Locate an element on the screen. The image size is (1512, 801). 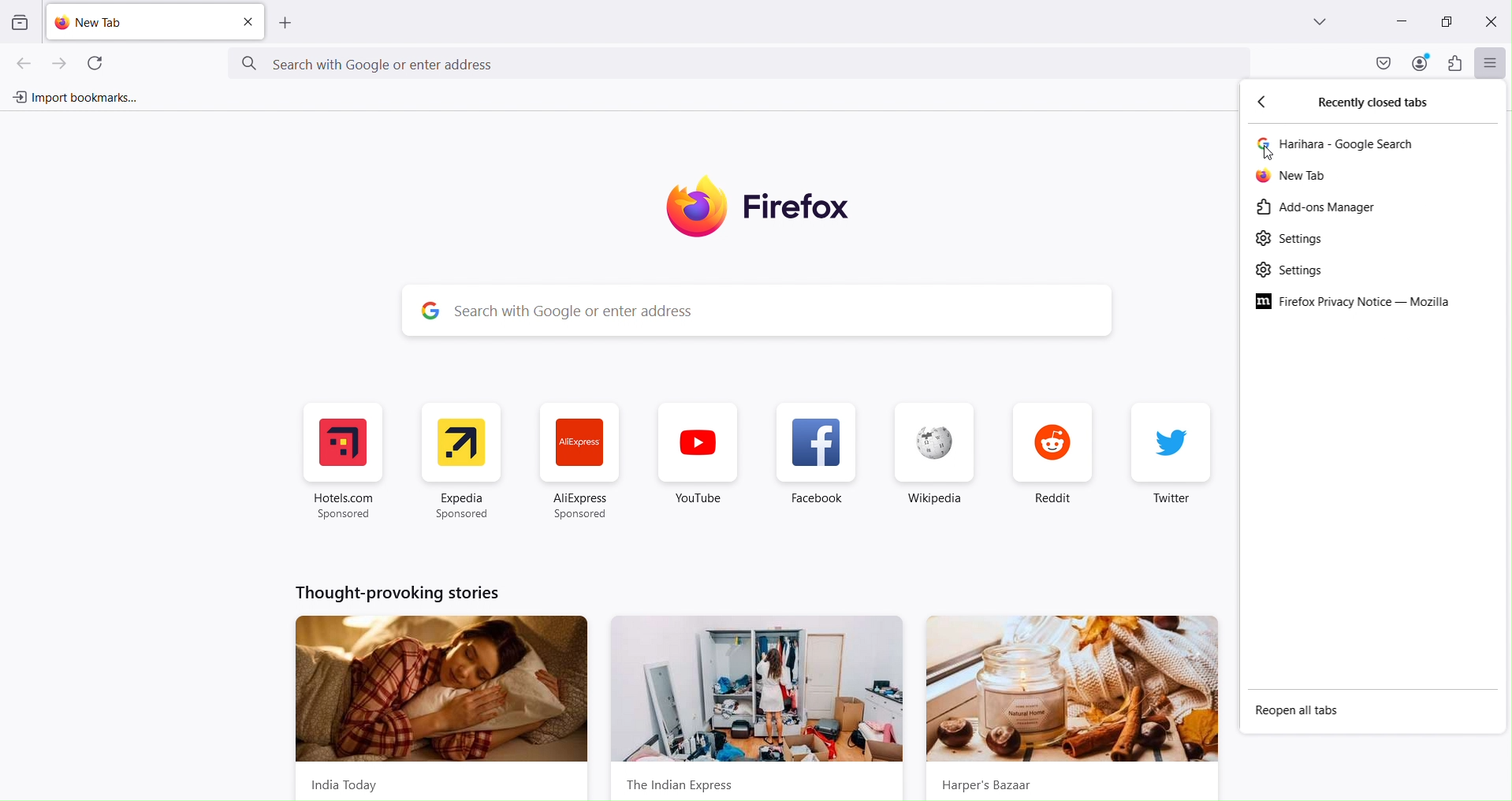
Search with google or enter address is located at coordinates (785, 311).